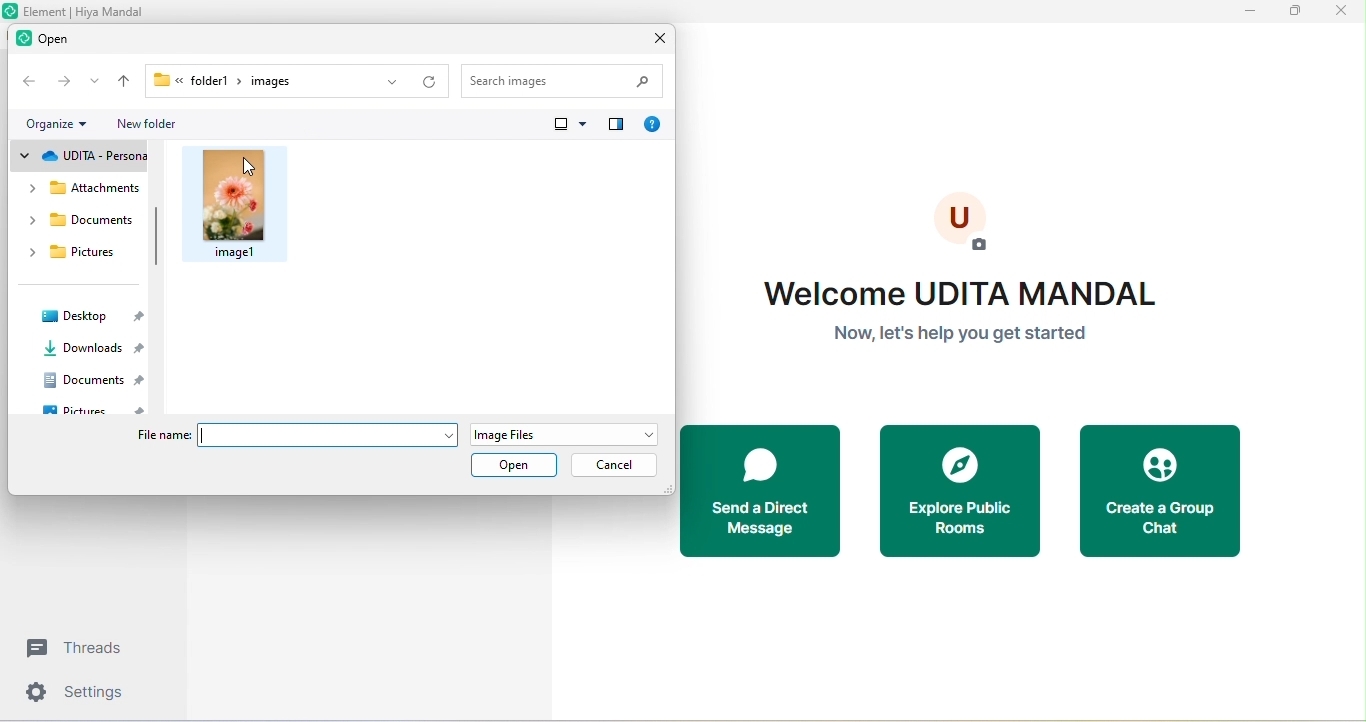 The image size is (1366, 722). I want to click on documents, so click(90, 380).